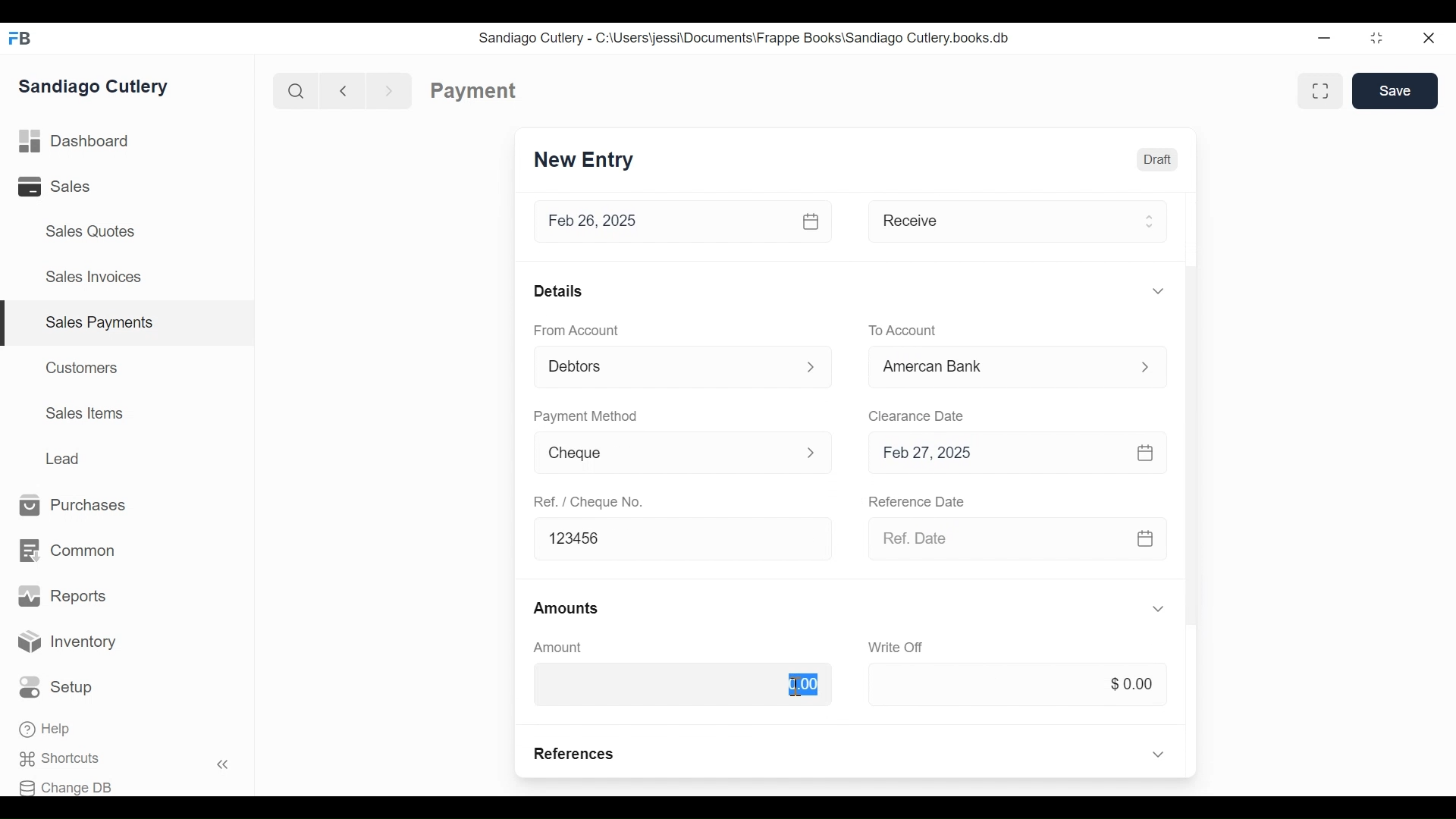 This screenshot has width=1456, height=819. What do you see at coordinates (1144, 366) in the screenshot?
I see `Expand` at bounding box center [1144, 366].